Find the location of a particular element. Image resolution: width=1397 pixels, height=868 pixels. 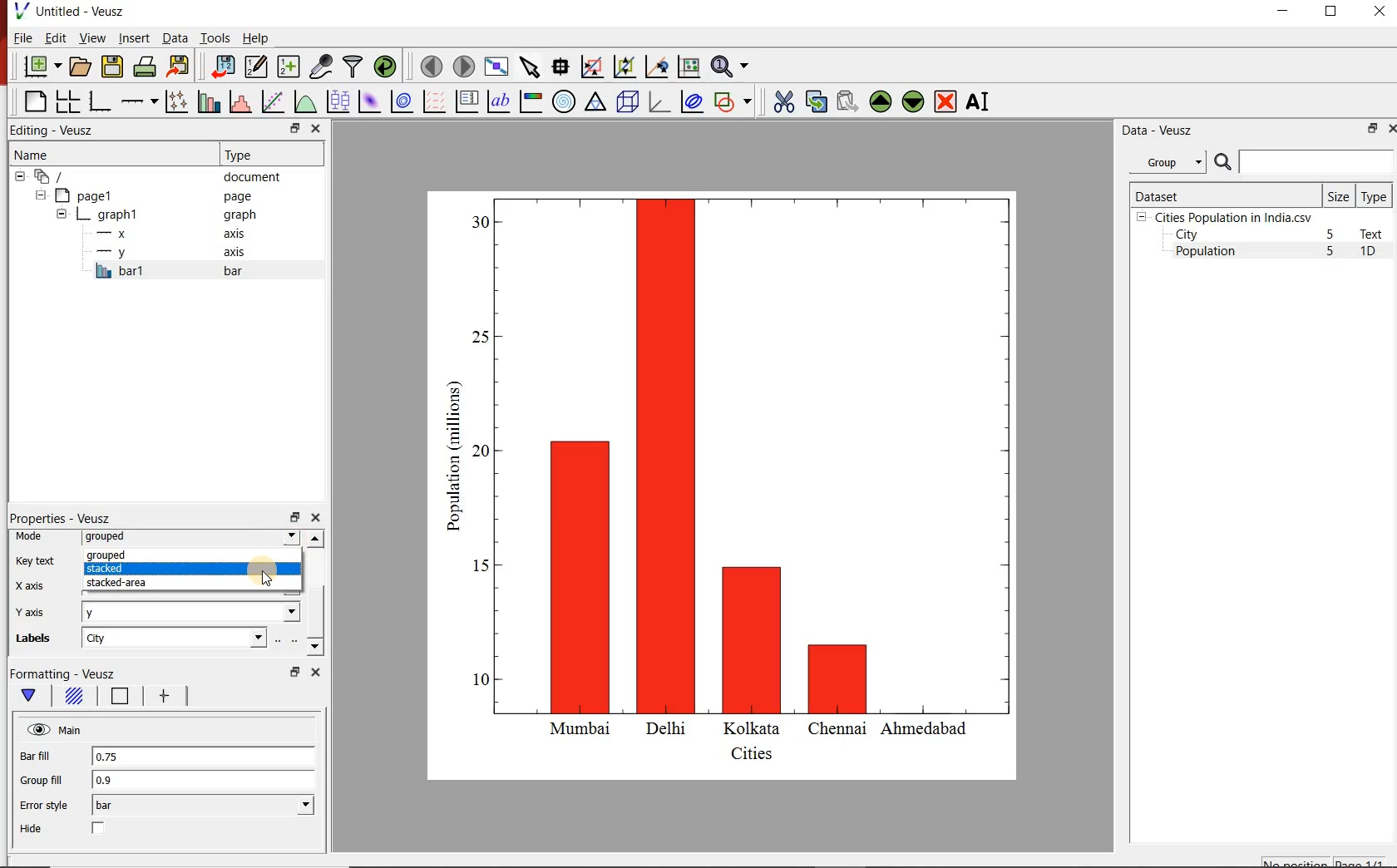

Main formatting is located at coordinates (32, 696).